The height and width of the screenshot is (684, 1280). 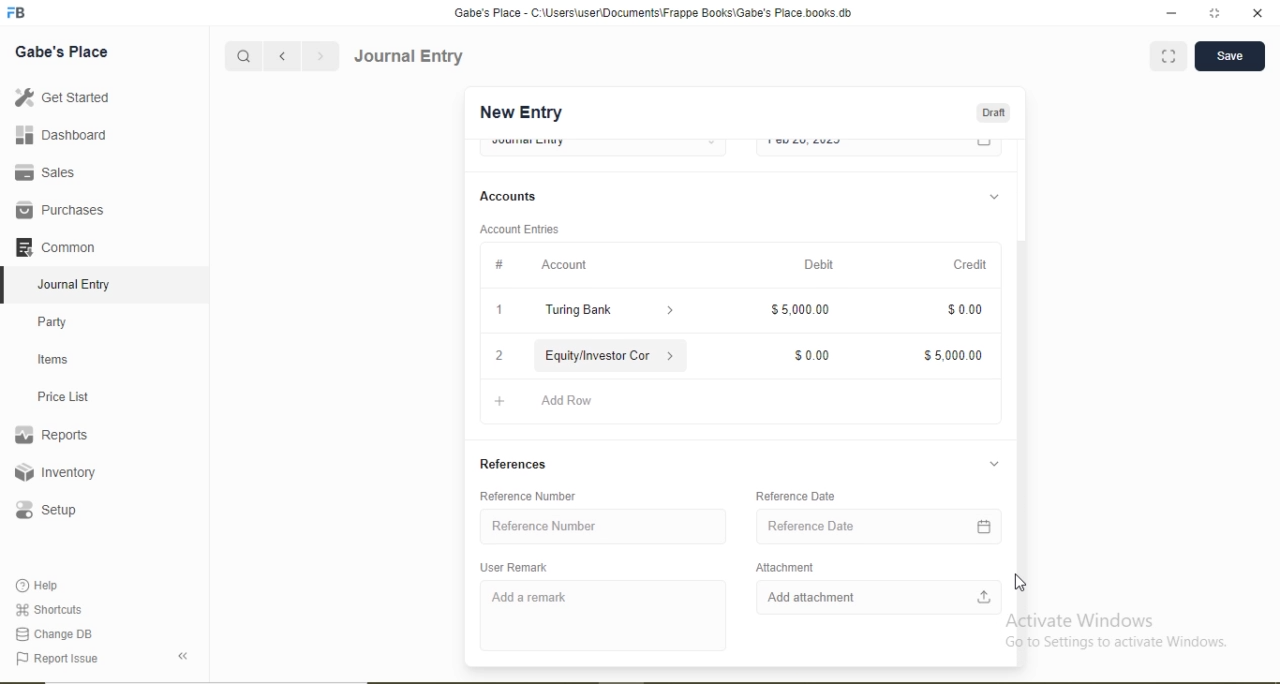 I want to click on Back, so click(x=182, y=656).